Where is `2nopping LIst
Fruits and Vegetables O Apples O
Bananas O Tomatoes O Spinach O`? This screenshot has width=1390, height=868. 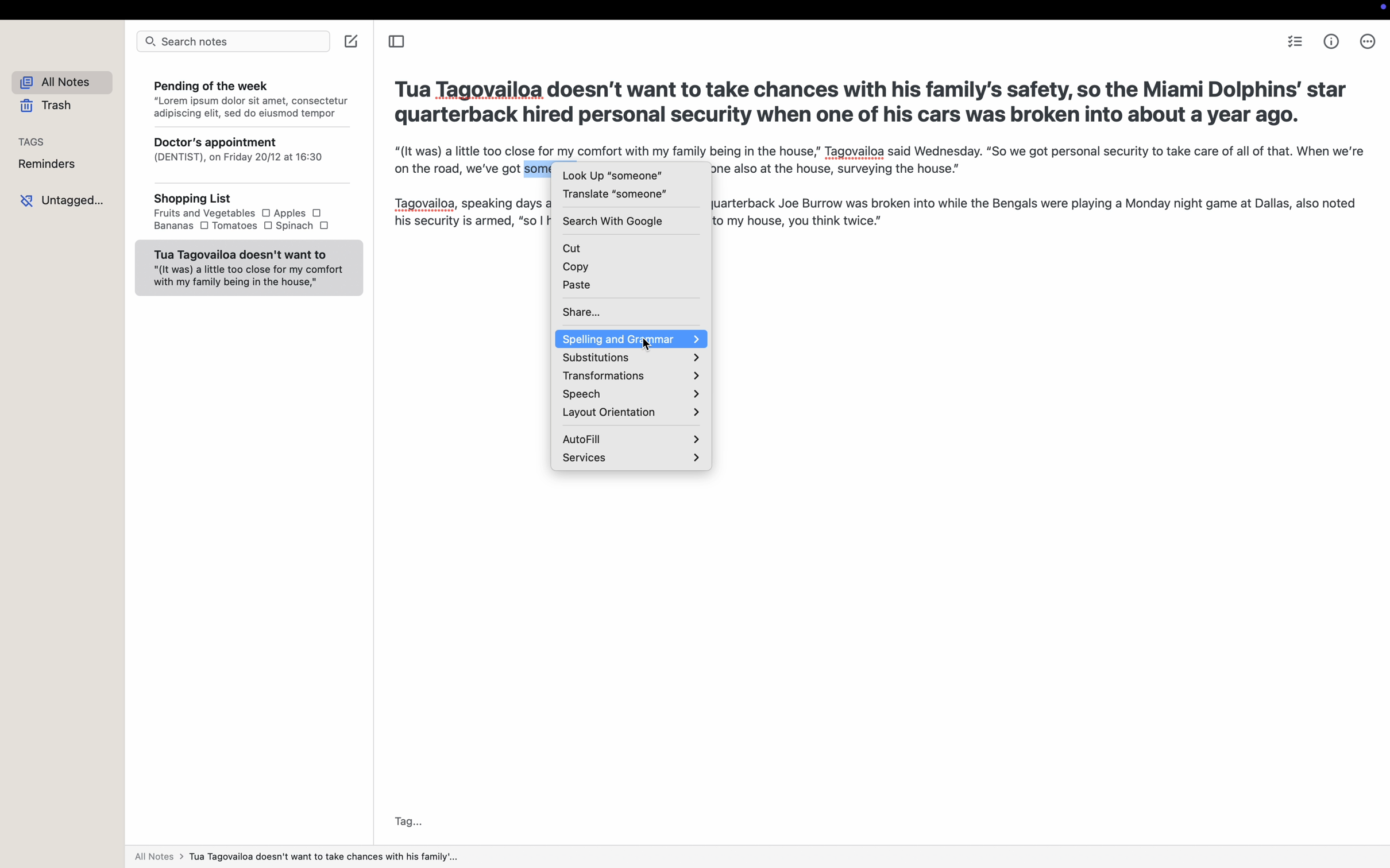 2nopping LIst
Fruits and Vegetables O Apples O
Bananas O Tomatoes O Spinach O is located at coordinates (247, 214).